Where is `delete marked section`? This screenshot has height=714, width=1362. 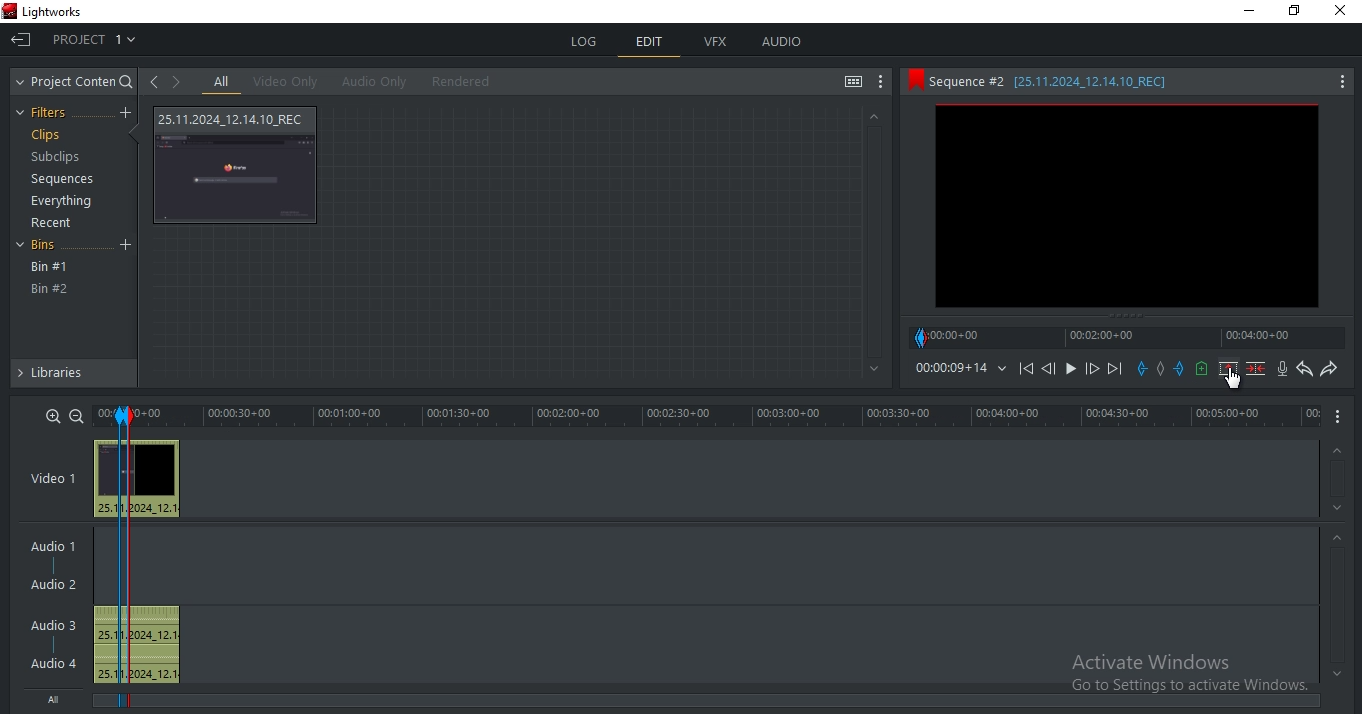
delete marked section is located at coordinates (1256, 369).